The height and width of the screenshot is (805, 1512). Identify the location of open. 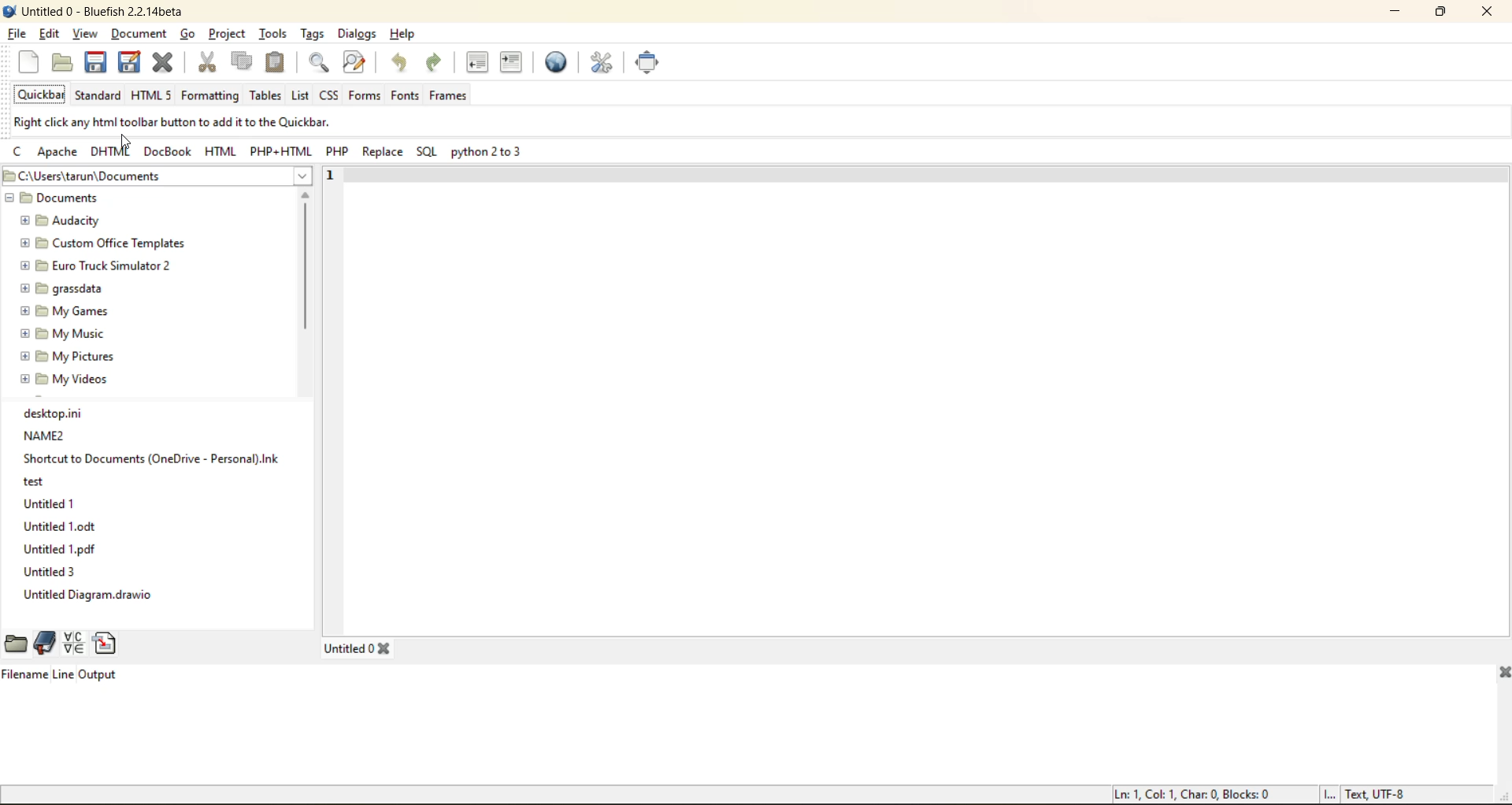
(61, 65).